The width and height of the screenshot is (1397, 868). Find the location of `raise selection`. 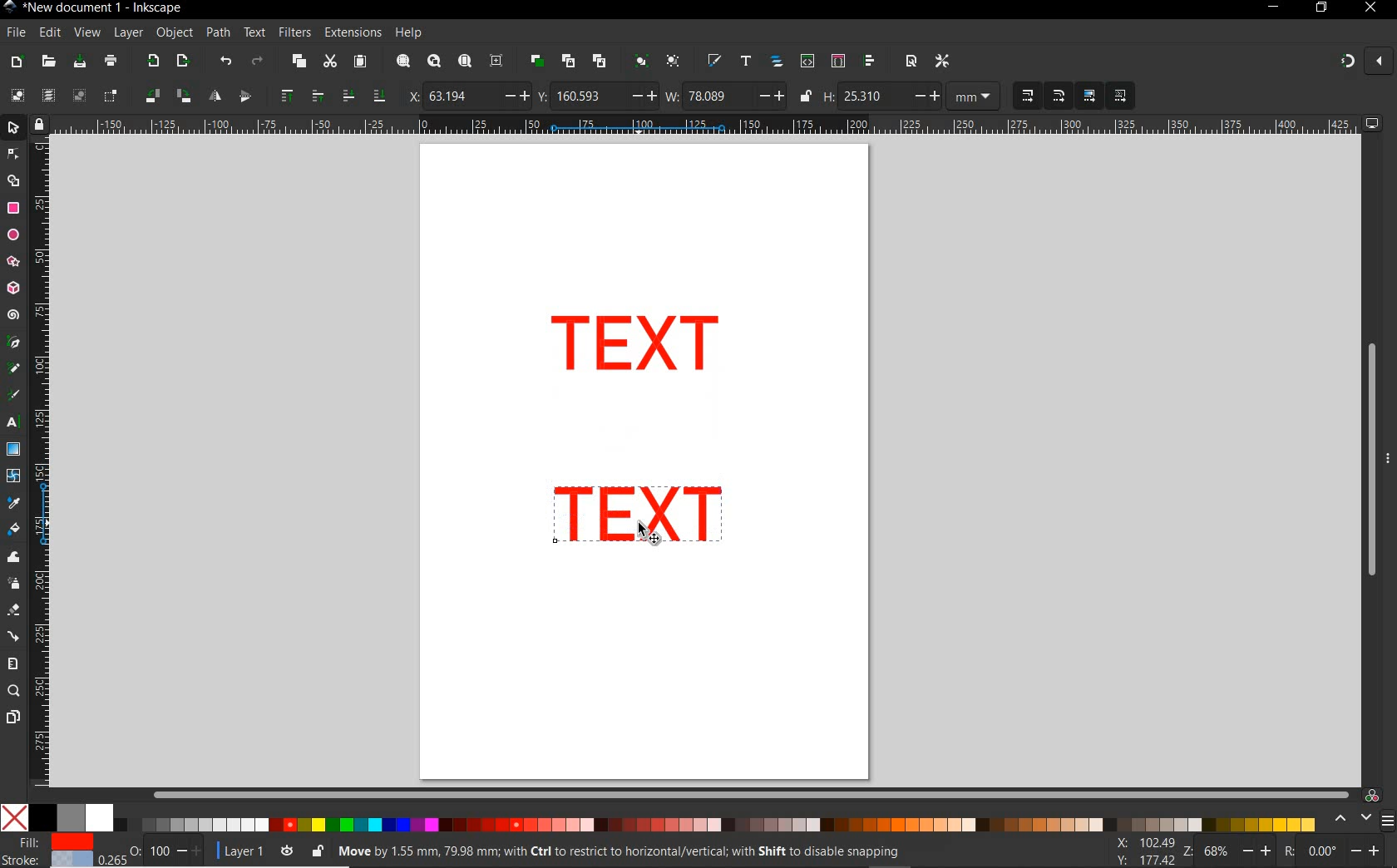

raise selection is located at coordinates (299, 96).